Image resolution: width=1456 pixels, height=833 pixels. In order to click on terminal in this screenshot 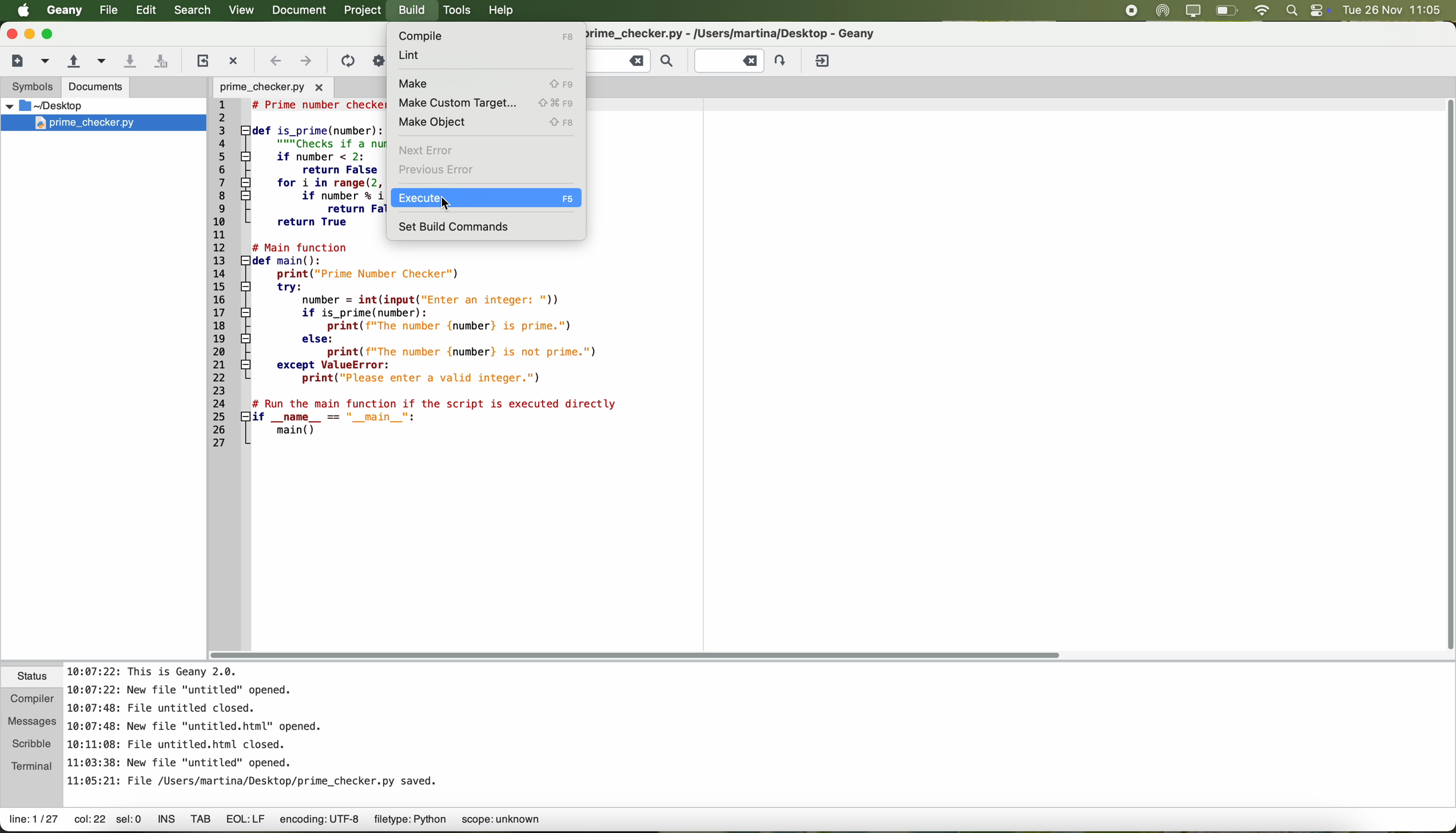, I will do `click(33, 766)`.